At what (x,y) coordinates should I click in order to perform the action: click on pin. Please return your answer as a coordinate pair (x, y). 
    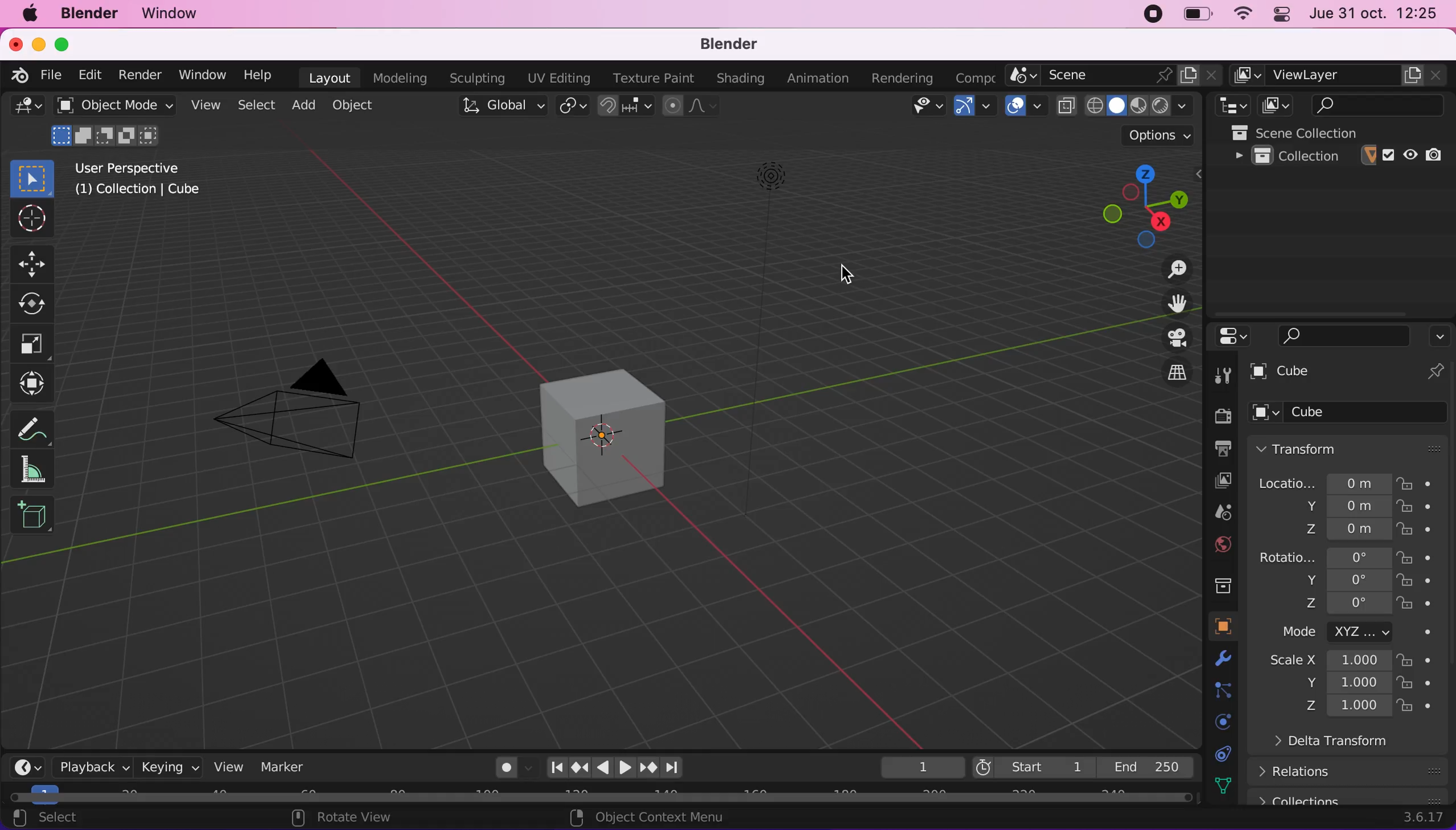
    Looking at the image, I should click on (1435, 373).